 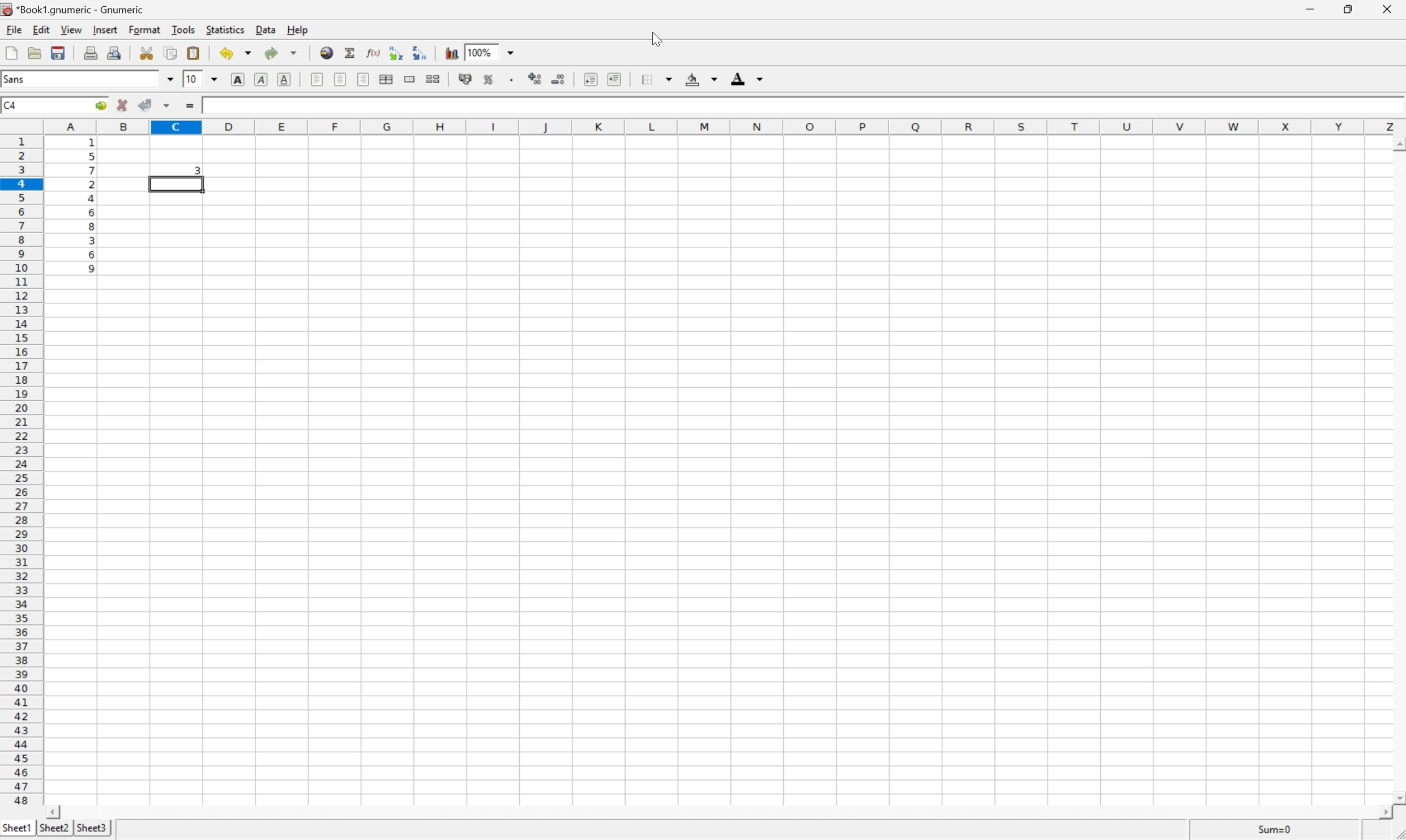 I want to click on Sort the selected region in descending order based on the first column selected, so click(x=421, y=54).